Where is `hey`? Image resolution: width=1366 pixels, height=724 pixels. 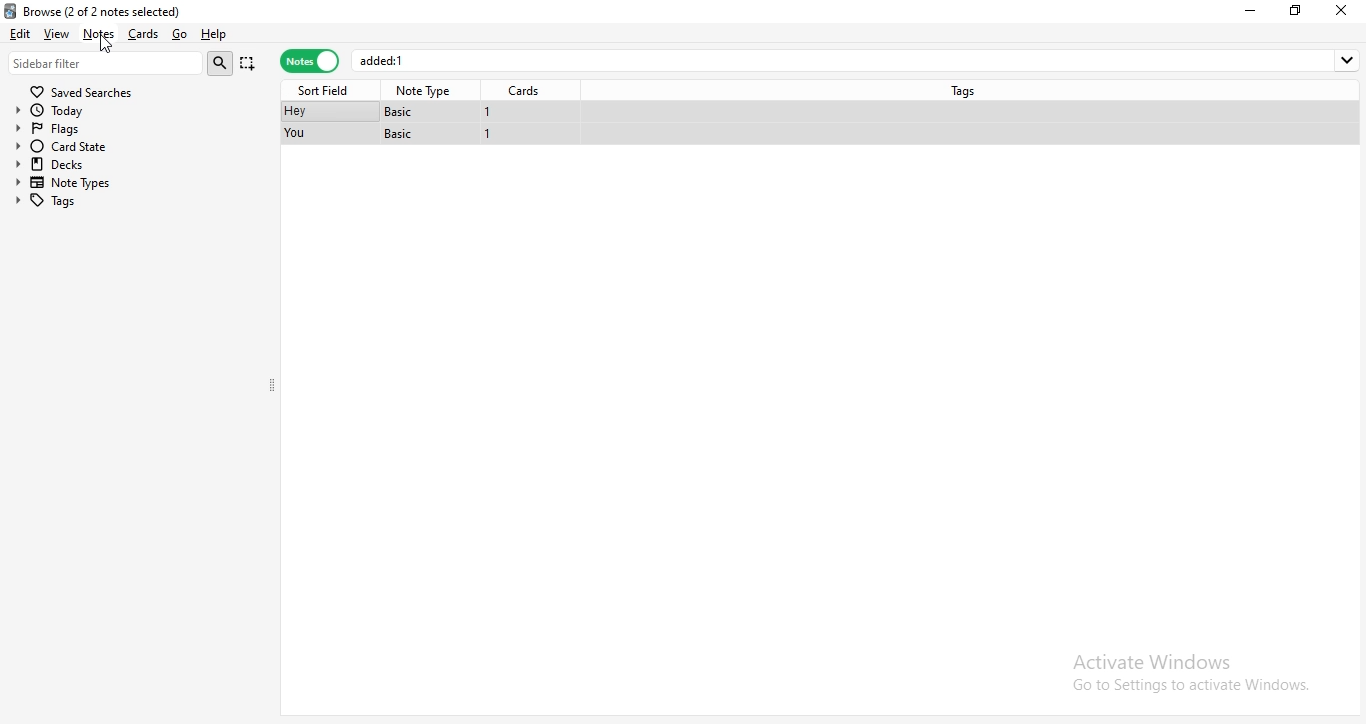 hey is located at coordinates (294, 112).